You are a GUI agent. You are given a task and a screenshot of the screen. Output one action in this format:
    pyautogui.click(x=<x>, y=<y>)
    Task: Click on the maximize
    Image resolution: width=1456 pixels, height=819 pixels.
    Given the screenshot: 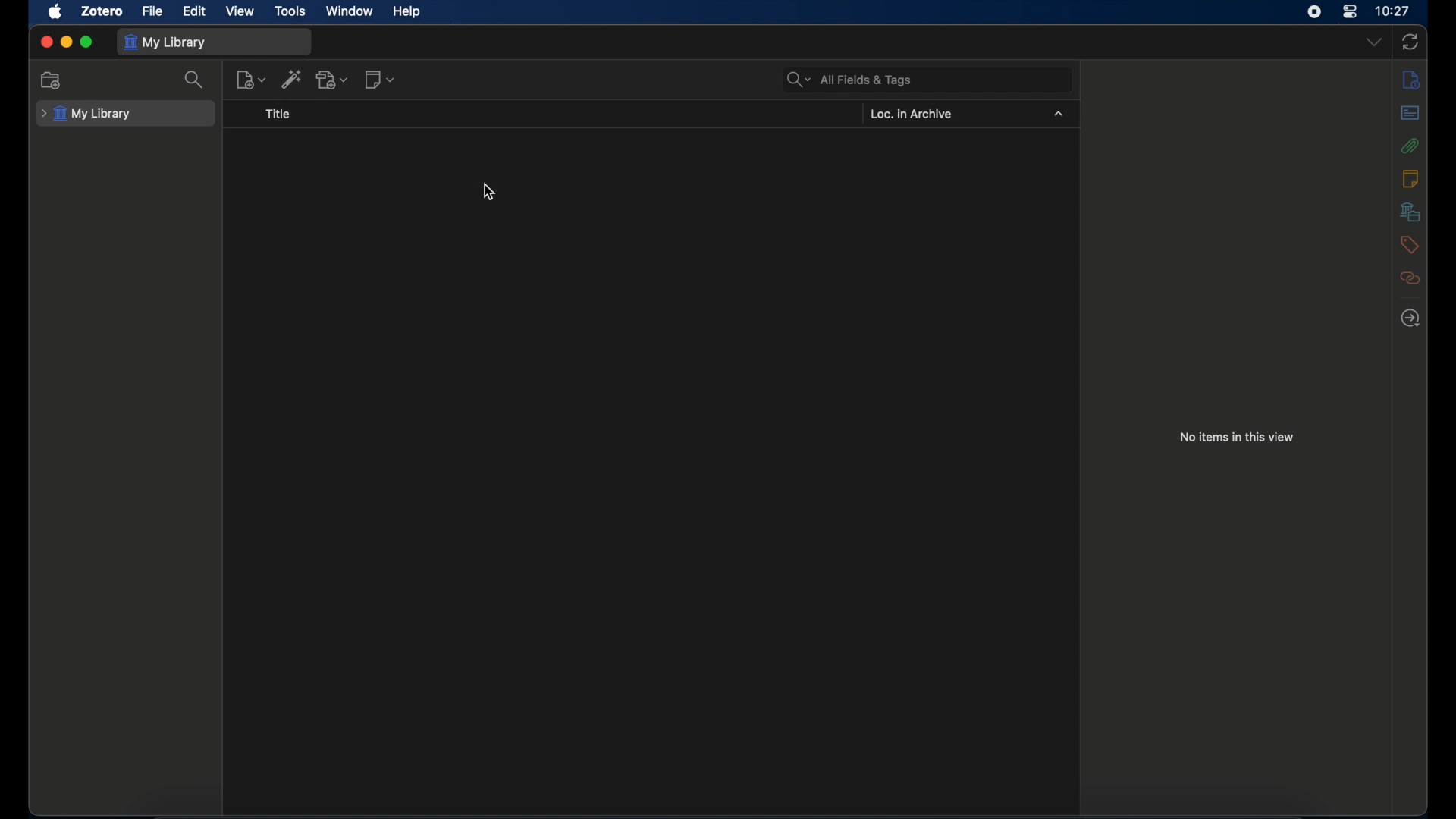 What is the action you would take?
    pyautogui.click(x=87, y=42)
    